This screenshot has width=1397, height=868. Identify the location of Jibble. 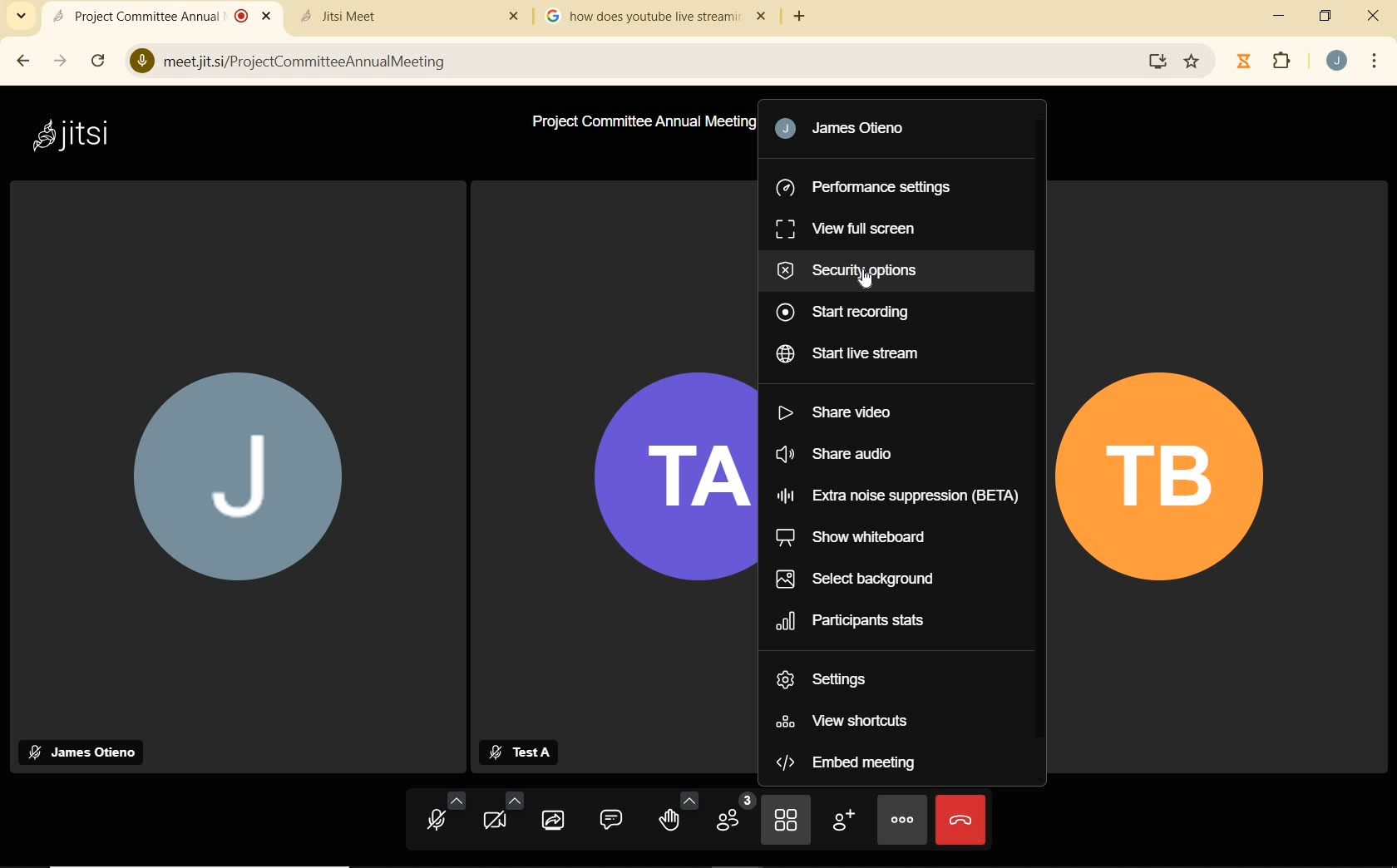
(1244, 63).